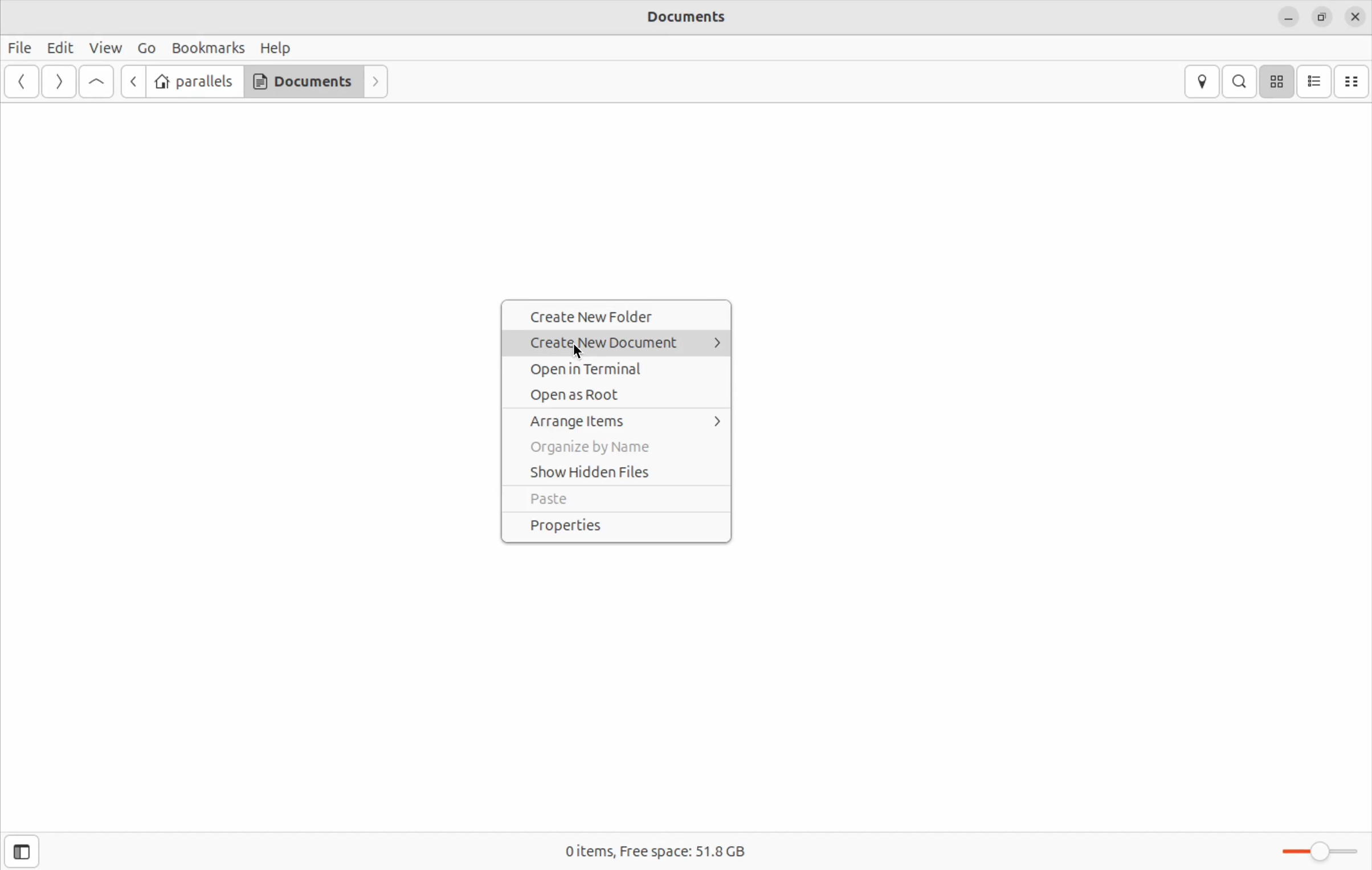  What do you see at coordinates (651, 852) in the screenshot?
I see `0 items, Free space: 51.8 GB` at bounding box center [651, 852].